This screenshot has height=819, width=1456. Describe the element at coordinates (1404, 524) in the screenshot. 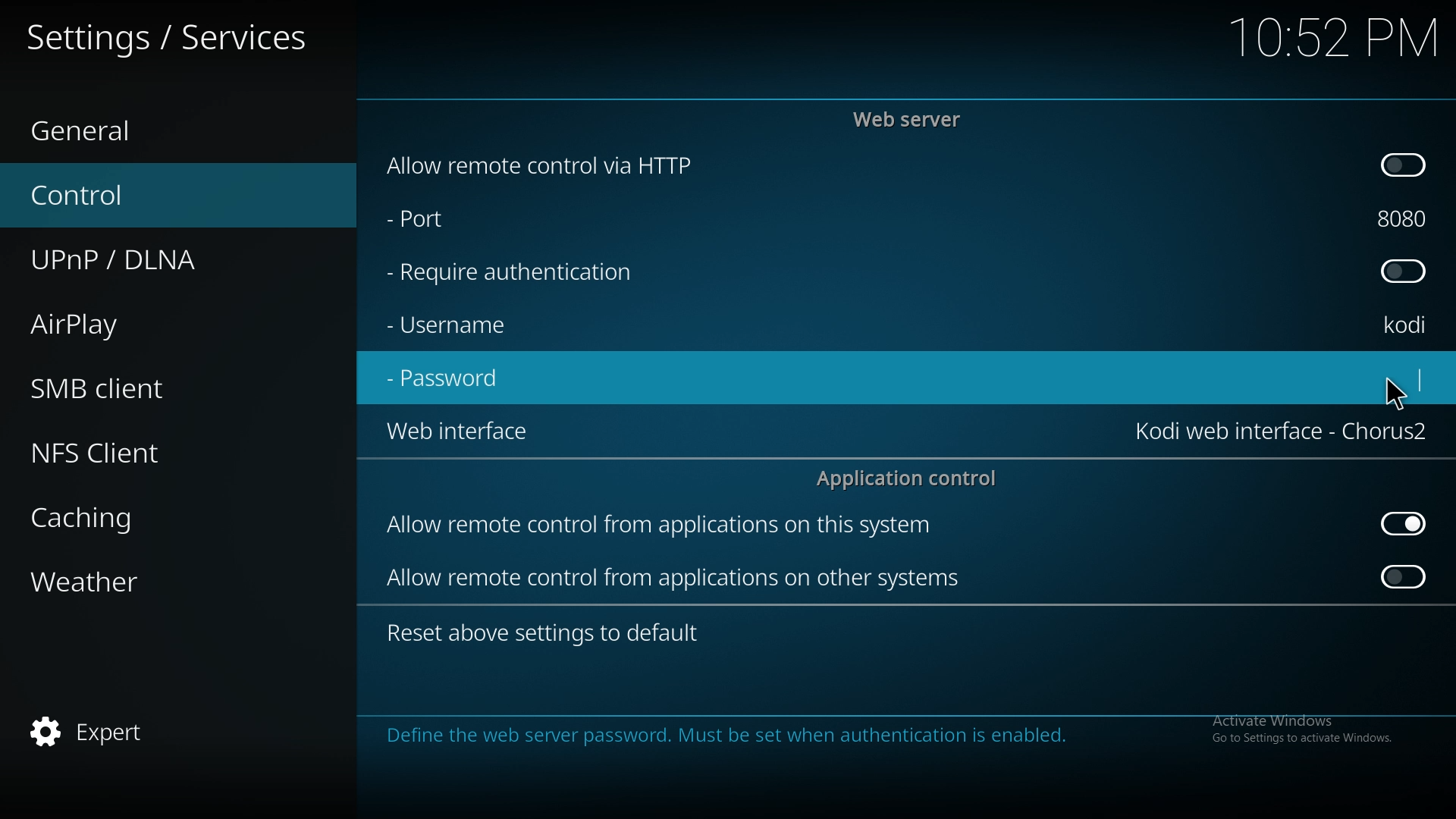

I see `toggle` at that location.